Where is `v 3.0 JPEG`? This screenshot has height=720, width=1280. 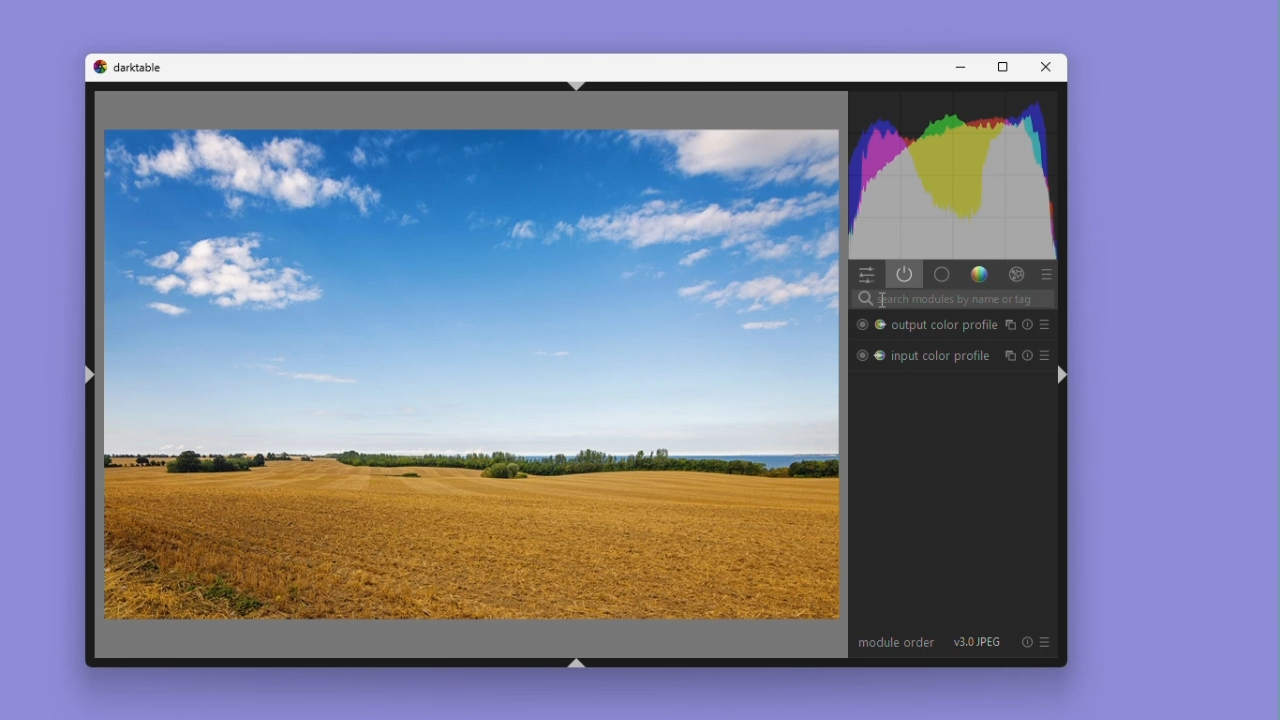
v 3.0 JPEG is located at coordinates (976, 642).